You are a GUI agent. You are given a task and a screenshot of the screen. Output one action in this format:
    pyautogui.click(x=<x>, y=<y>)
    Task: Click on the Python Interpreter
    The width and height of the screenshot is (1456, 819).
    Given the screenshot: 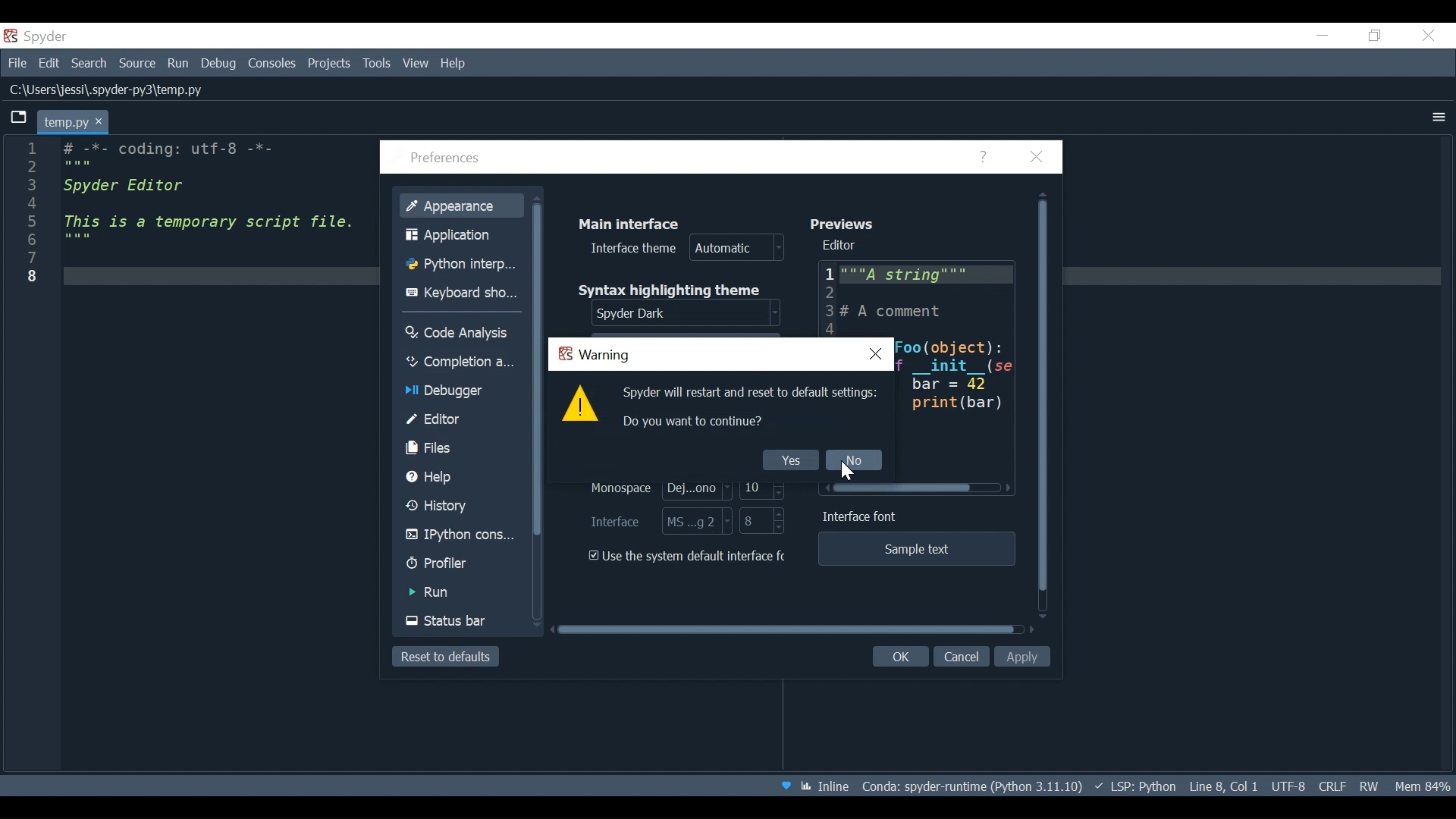 What is the action you would take?
    pyautogui.click(x=465, y=265)
    